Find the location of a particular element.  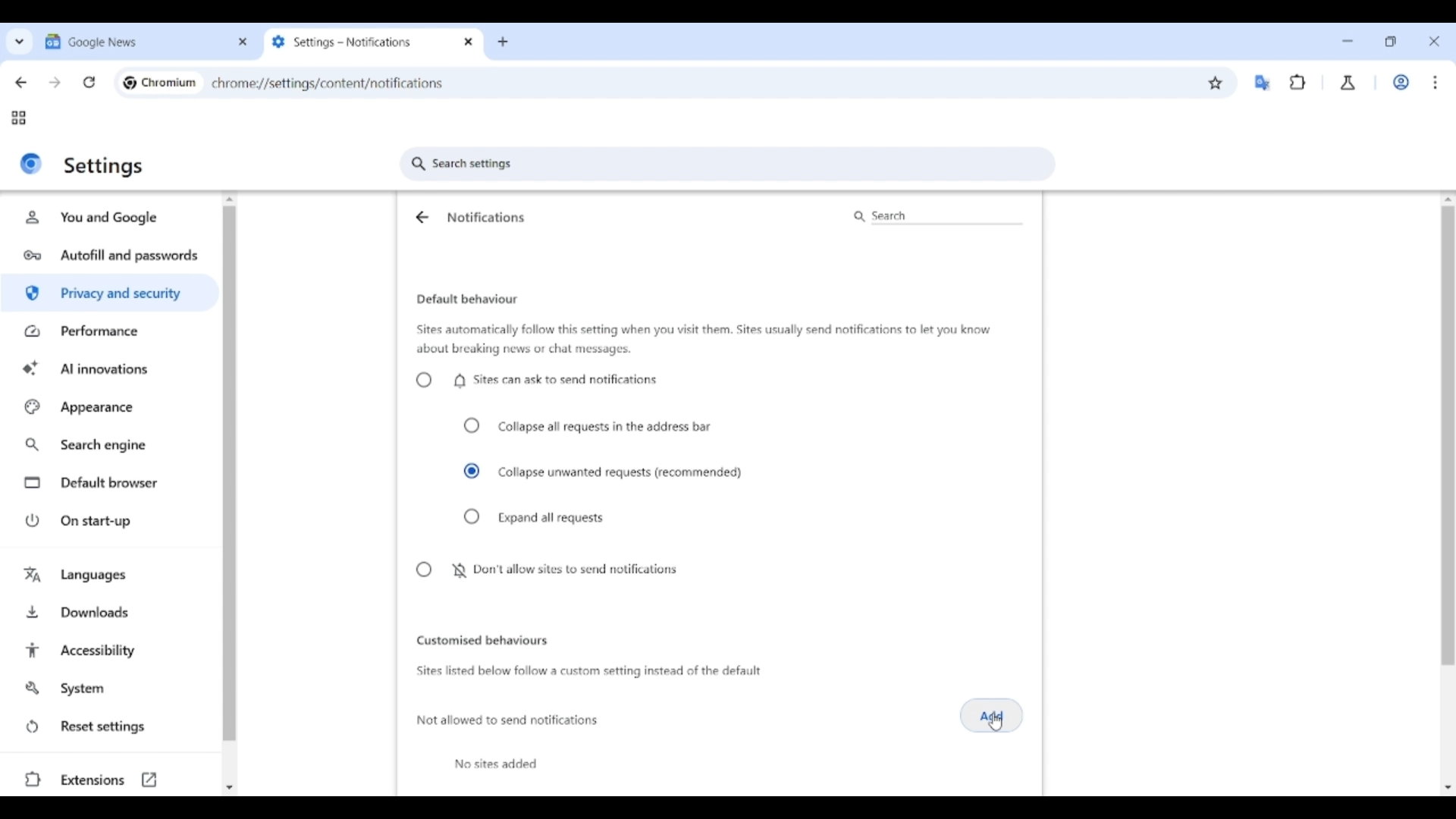

Notifications is located at coordinates (486, 217).